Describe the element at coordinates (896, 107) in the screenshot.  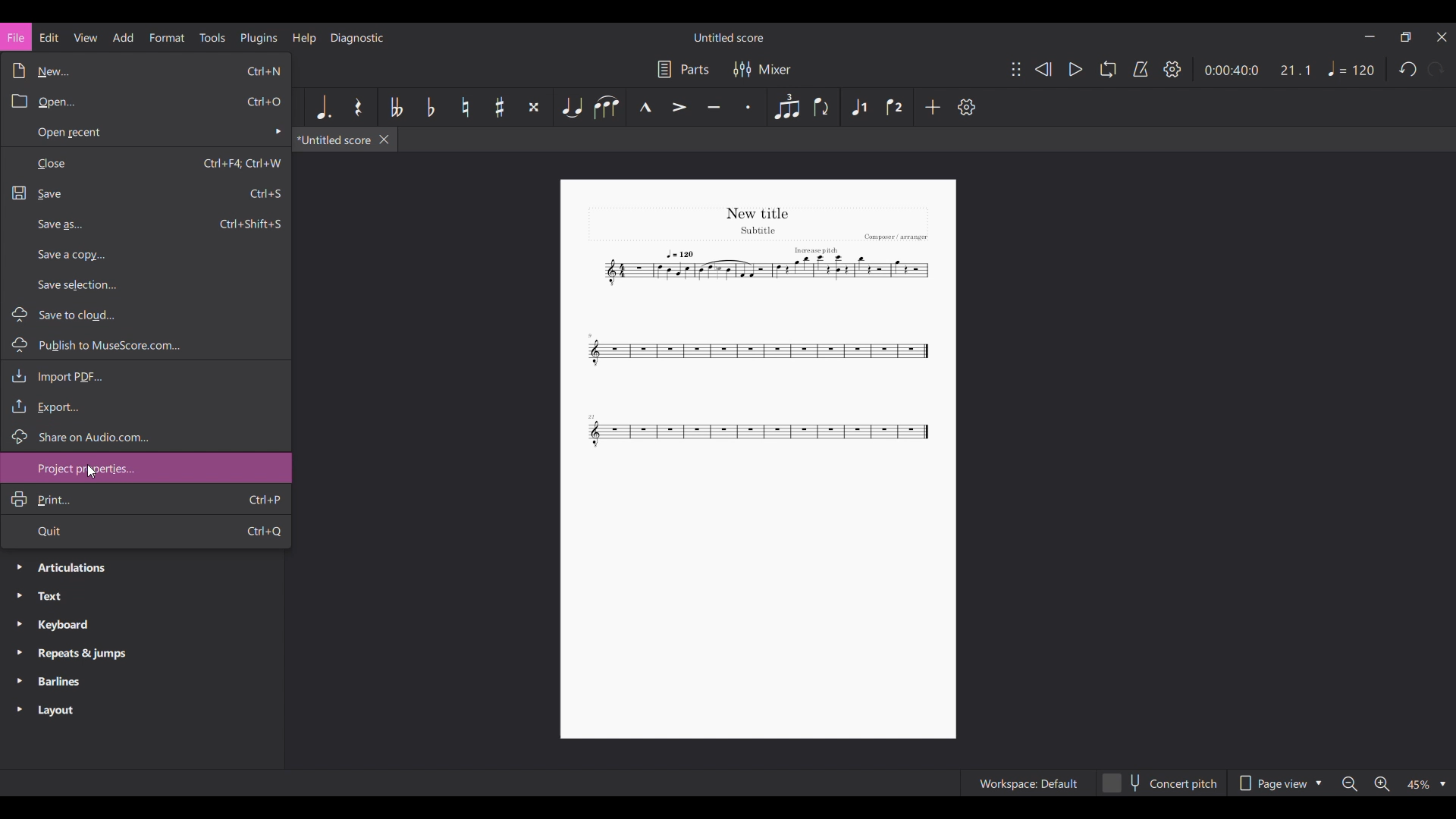
I see `Voice 2` at that location.